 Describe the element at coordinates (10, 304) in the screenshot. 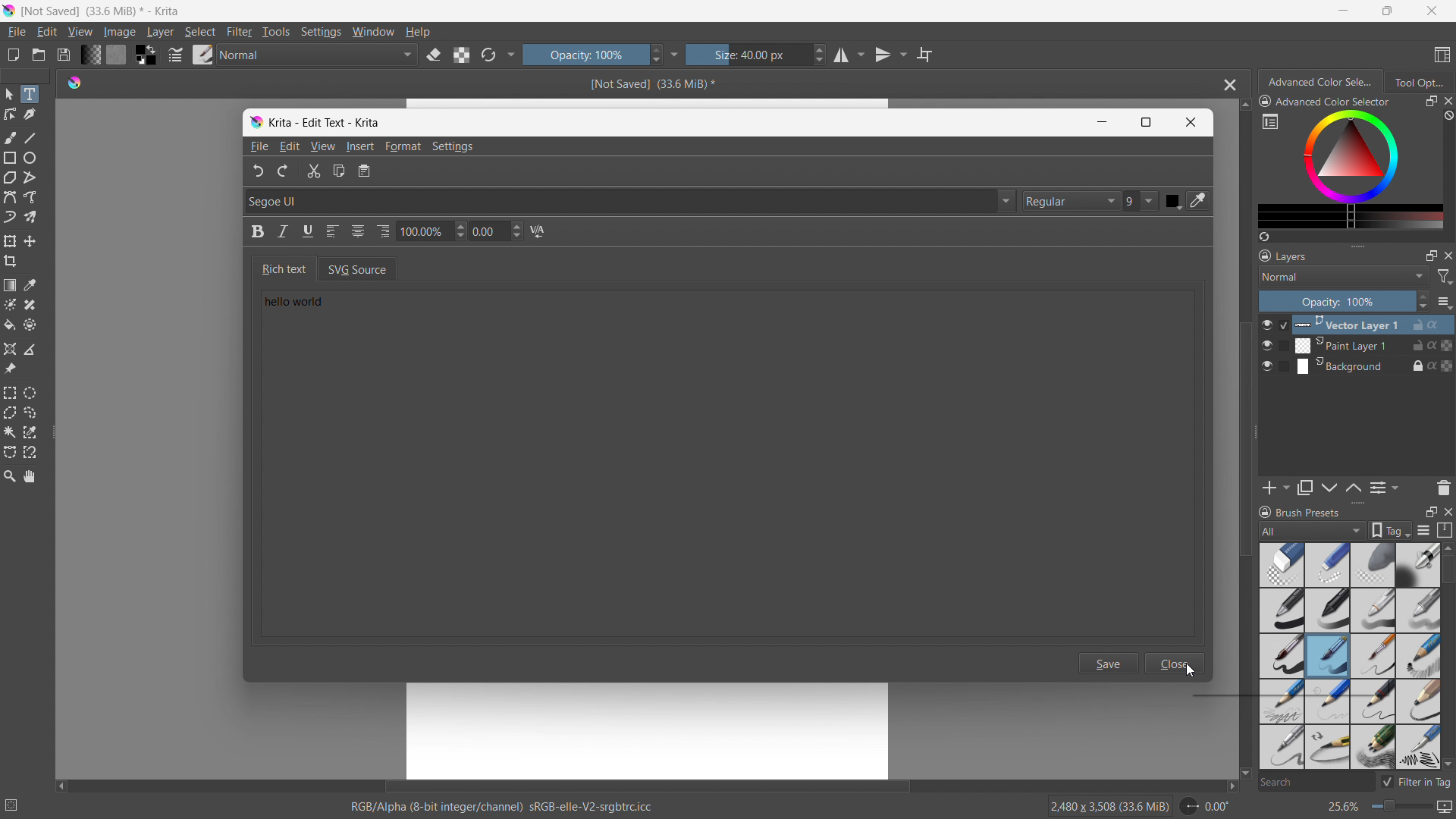

I see `colorize mask tool` at that location.